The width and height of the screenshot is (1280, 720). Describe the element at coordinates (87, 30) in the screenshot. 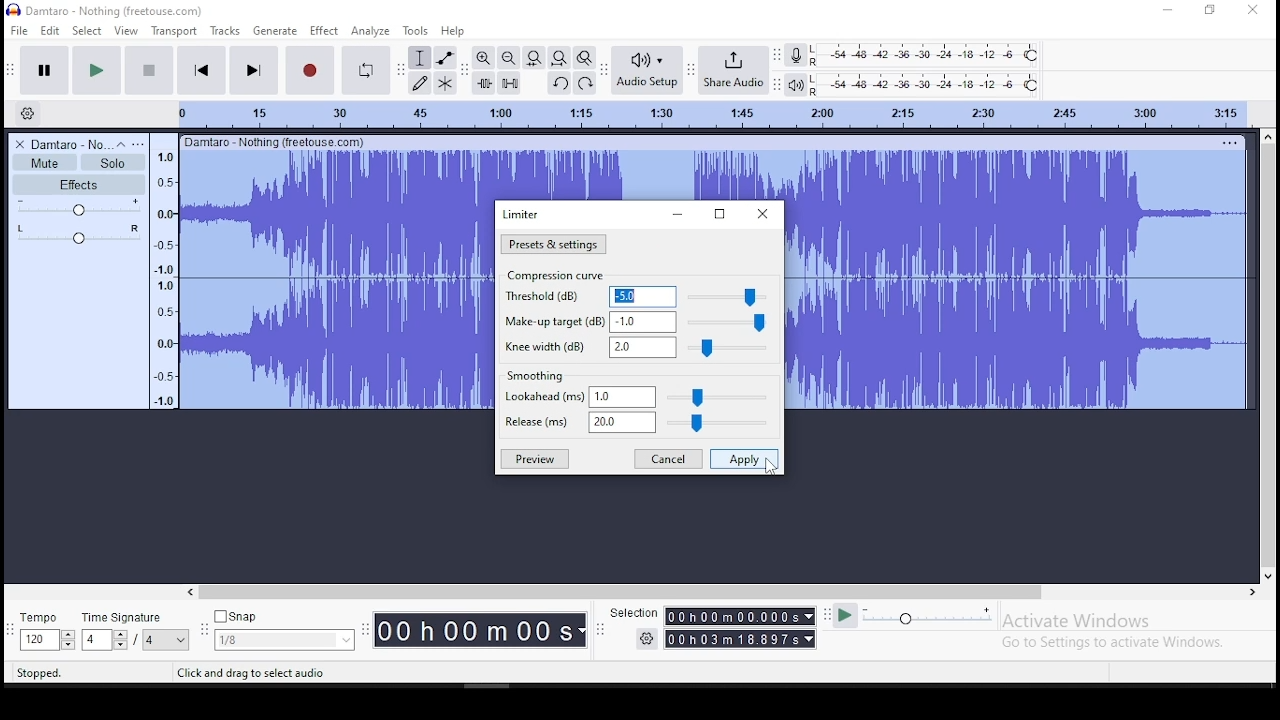

I see `select` at that location.